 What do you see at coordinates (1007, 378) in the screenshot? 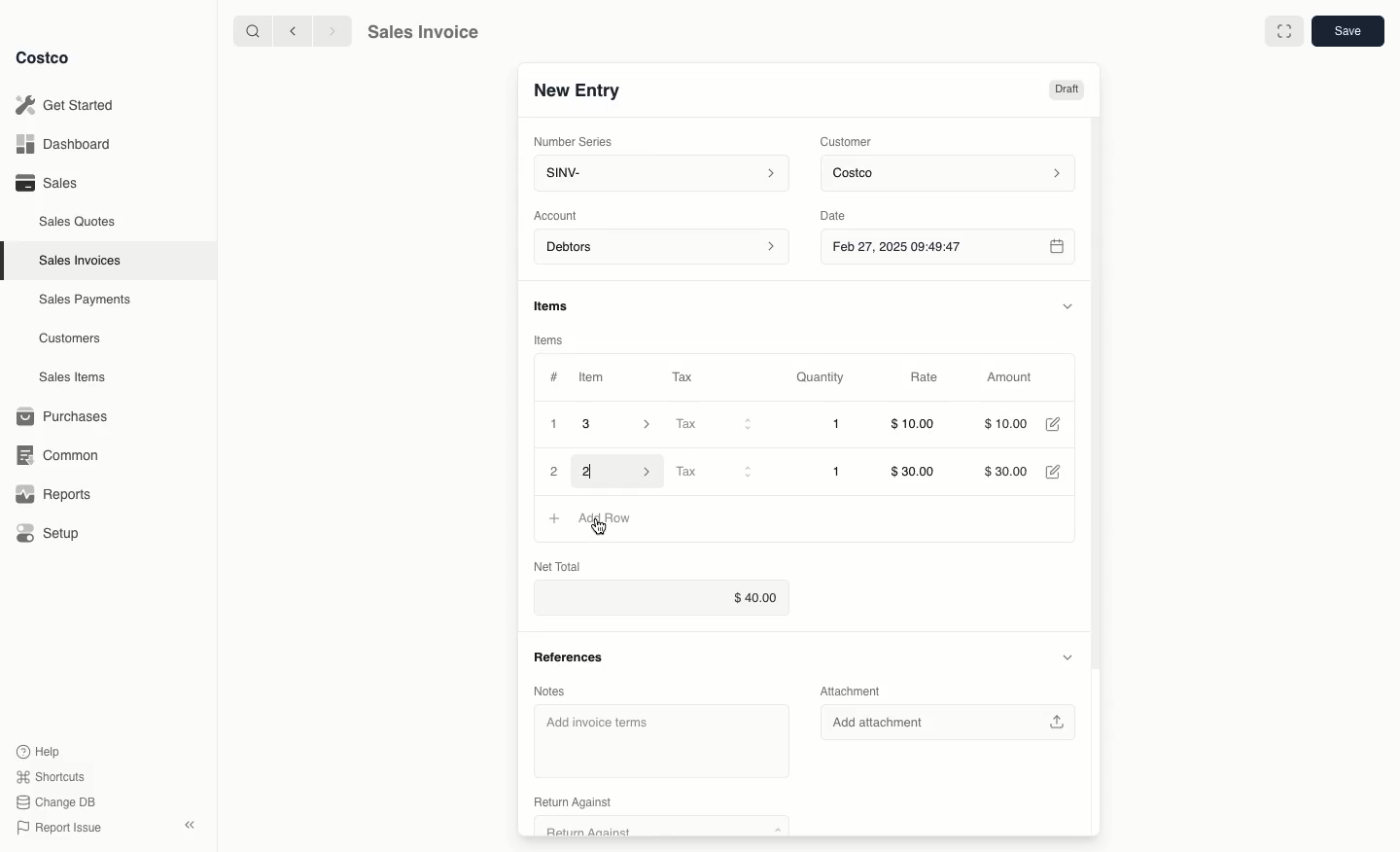
I see `Amount` at bounding box center [1007, 378].